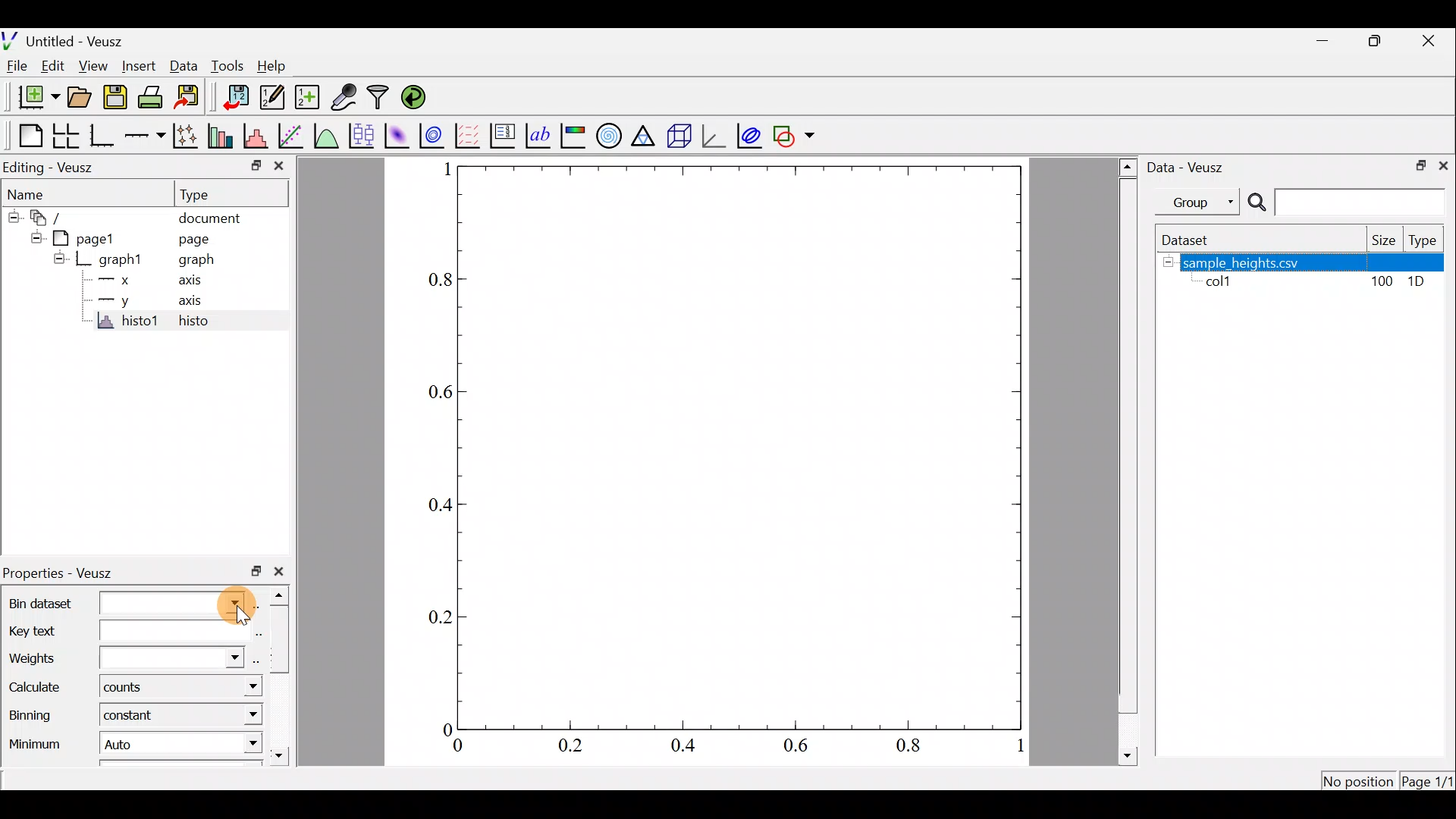  What do you see at coordinates (573, 745) in the screenshot?
I see `0.2` at bounding box center [573, 745].